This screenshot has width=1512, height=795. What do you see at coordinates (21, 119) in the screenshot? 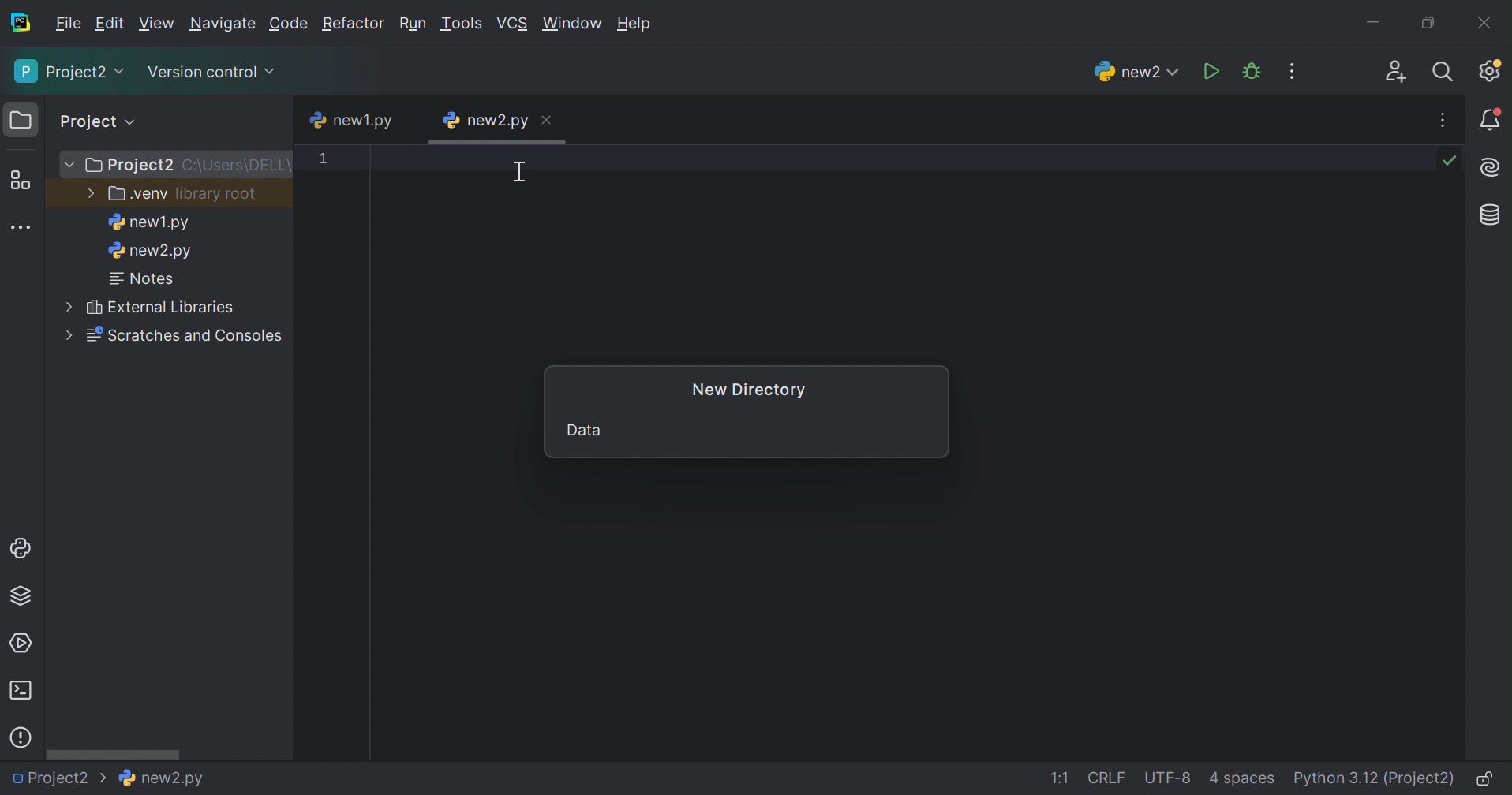
I see `Folder icon` at bounding box center [21, 119].